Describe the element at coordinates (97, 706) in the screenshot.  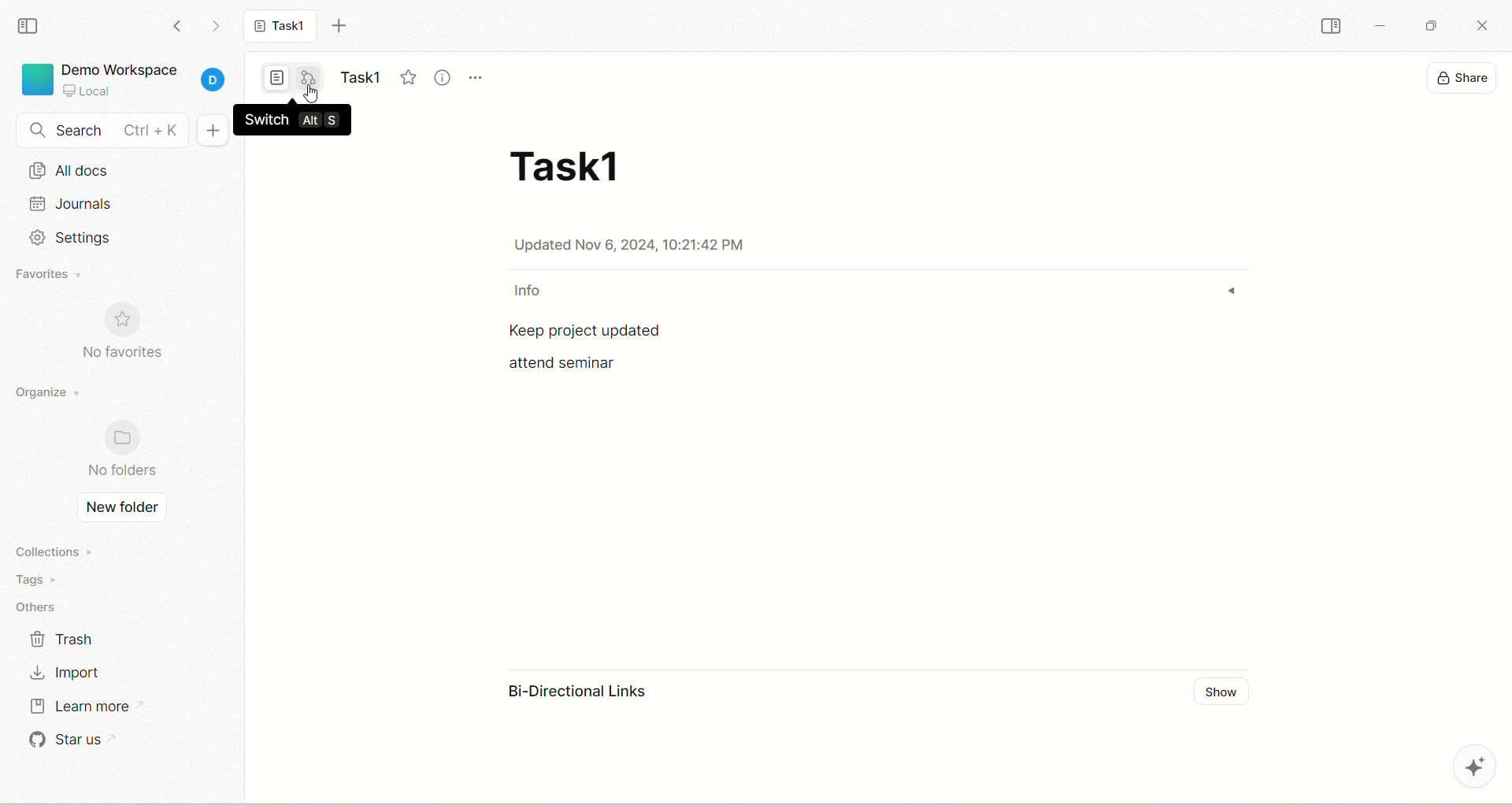
I see `learn more` at that location.